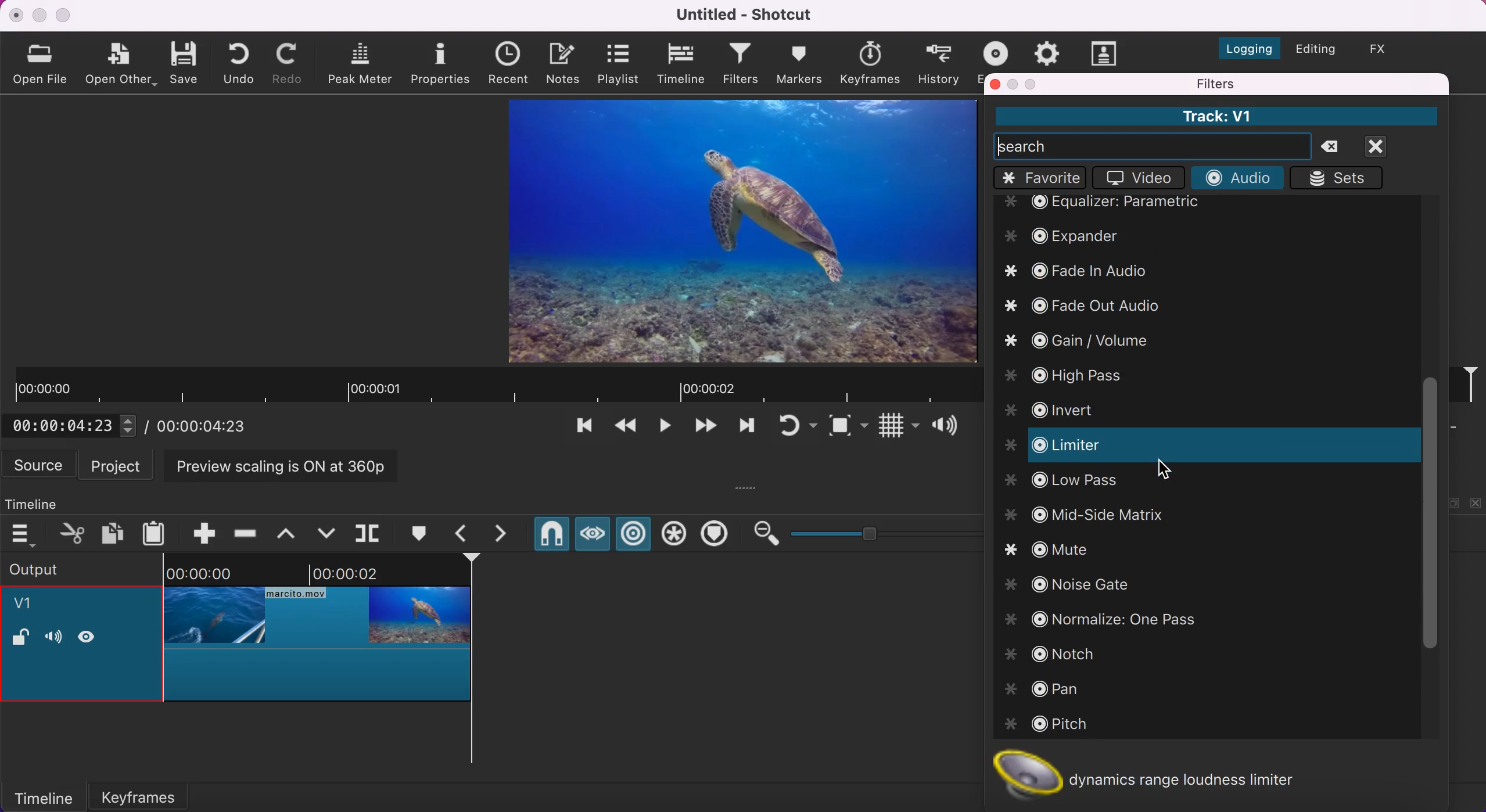 The width and height of the screenshot is (1486, 812). What do you see at coordinates (26, 534) in the screenshot?
I see `timeline menu` at bounding box center [26, 534].